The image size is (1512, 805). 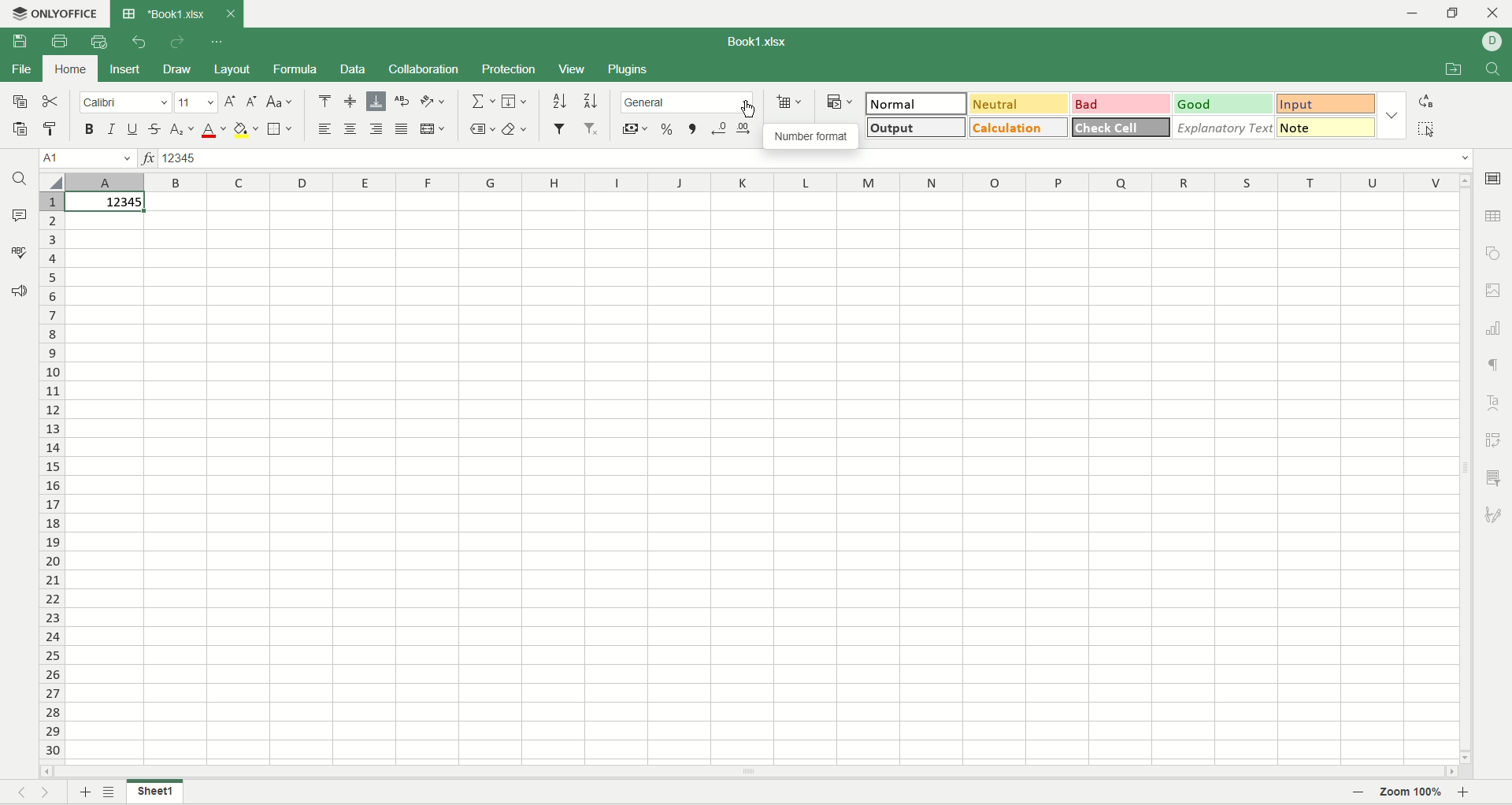 I want to click on calculation, so click(x=1020, y=127).